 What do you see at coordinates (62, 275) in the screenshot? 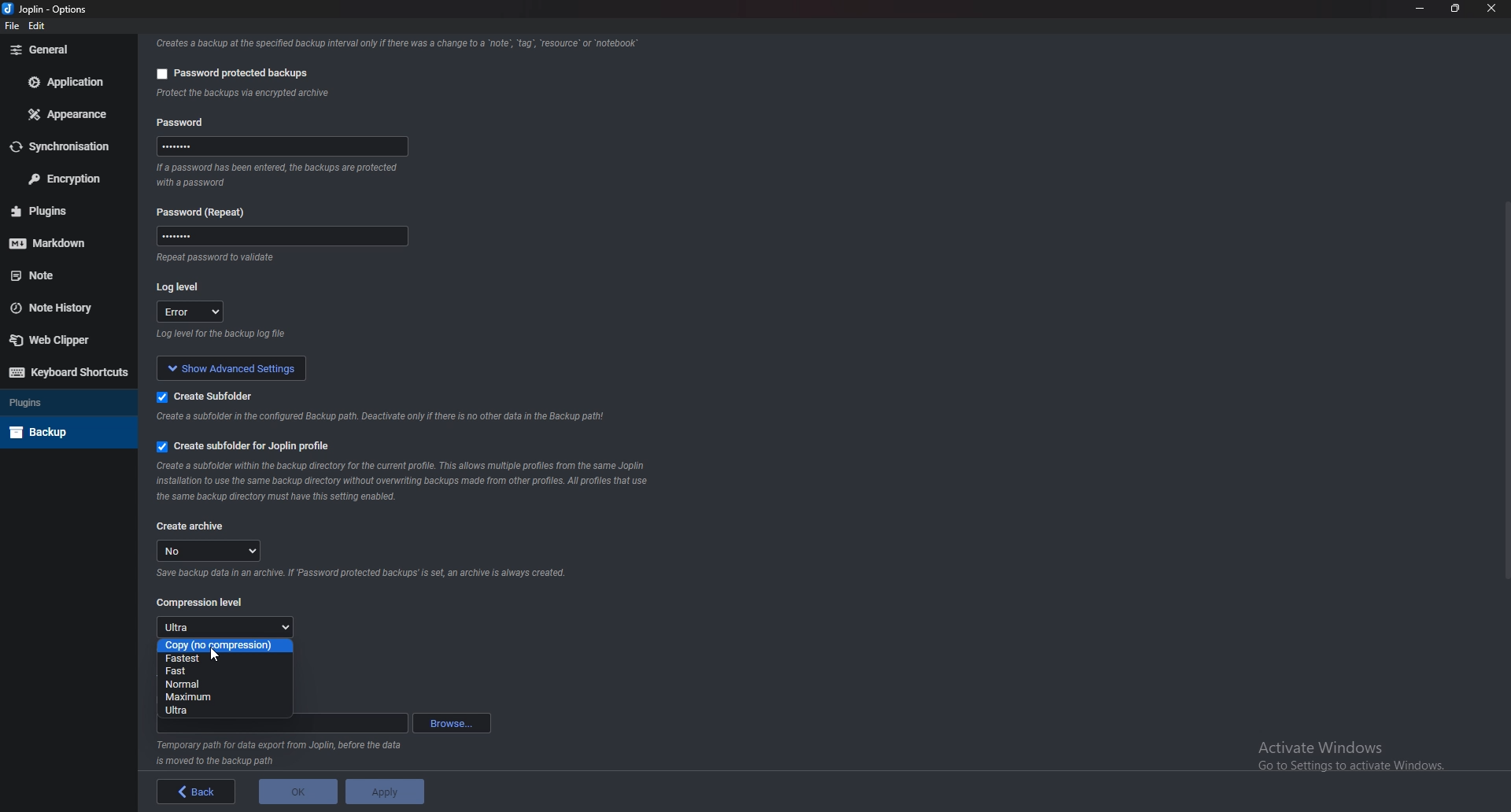
I see `note` at bounding box center [62, 275].